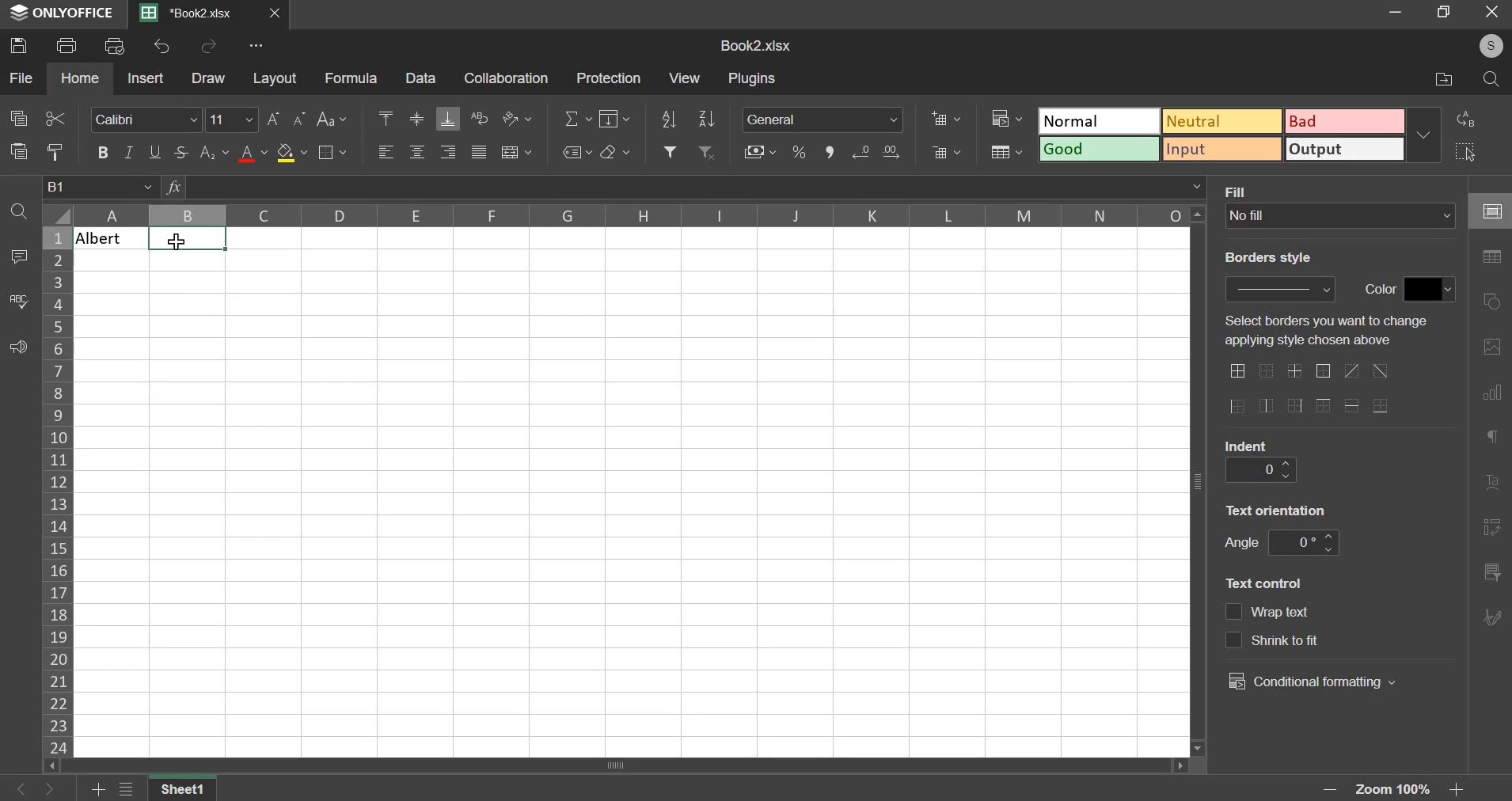  Describe the element at coordinates (417, 152) in the screenshot. I see `align center` at that location.